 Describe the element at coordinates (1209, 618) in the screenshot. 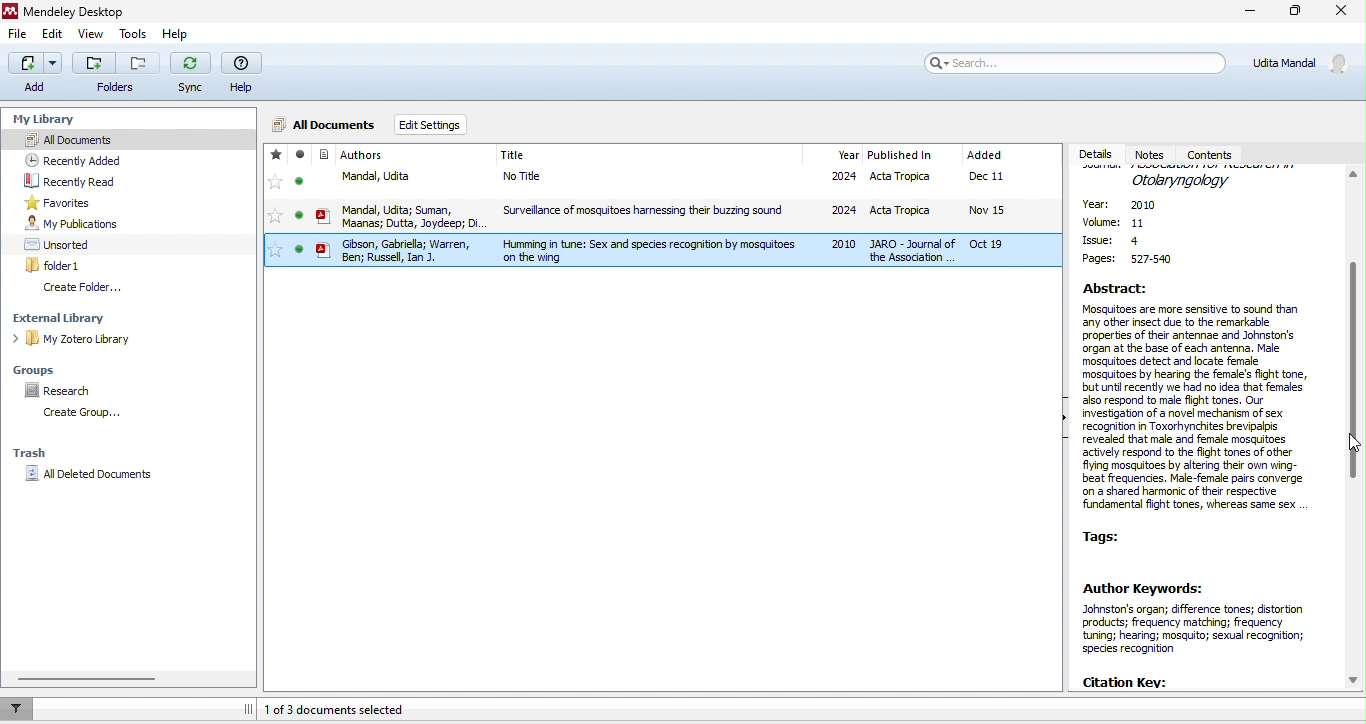

I see `author keywords` at that location.